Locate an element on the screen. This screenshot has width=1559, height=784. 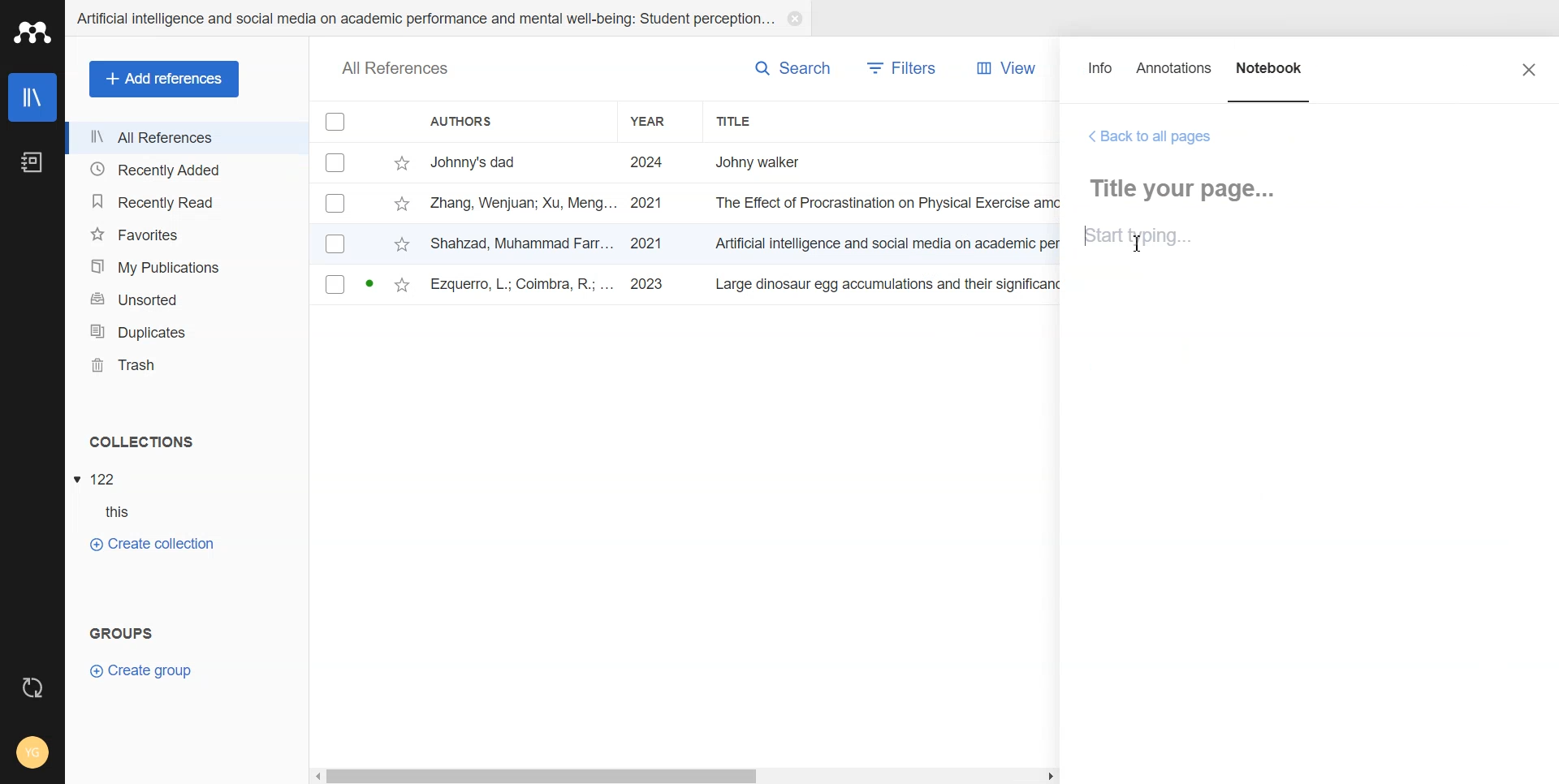
Account is located at coordinates (32, 754).